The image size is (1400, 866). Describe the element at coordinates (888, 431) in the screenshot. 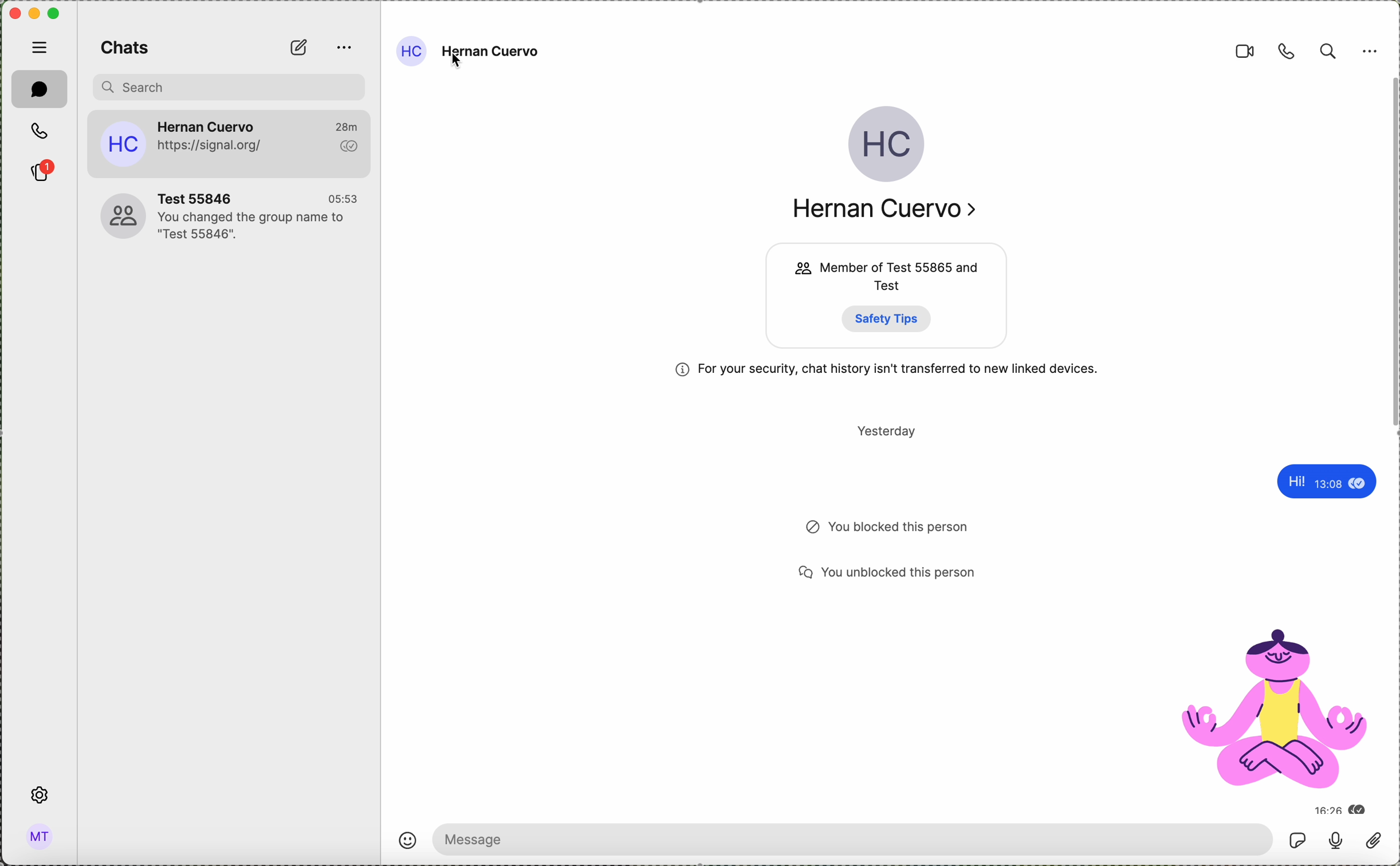

I see `Yesterday` at that location.